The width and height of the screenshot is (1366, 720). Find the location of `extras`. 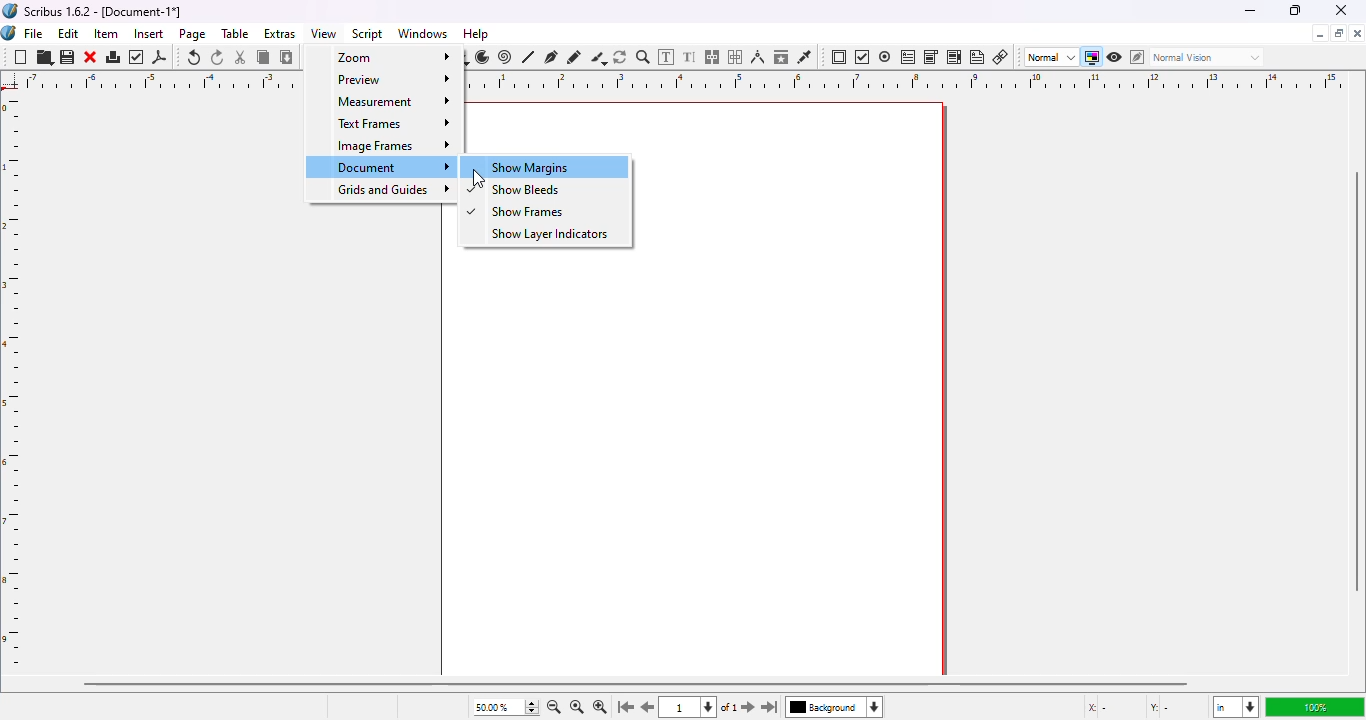

extras is located at coordinates (280, 33).